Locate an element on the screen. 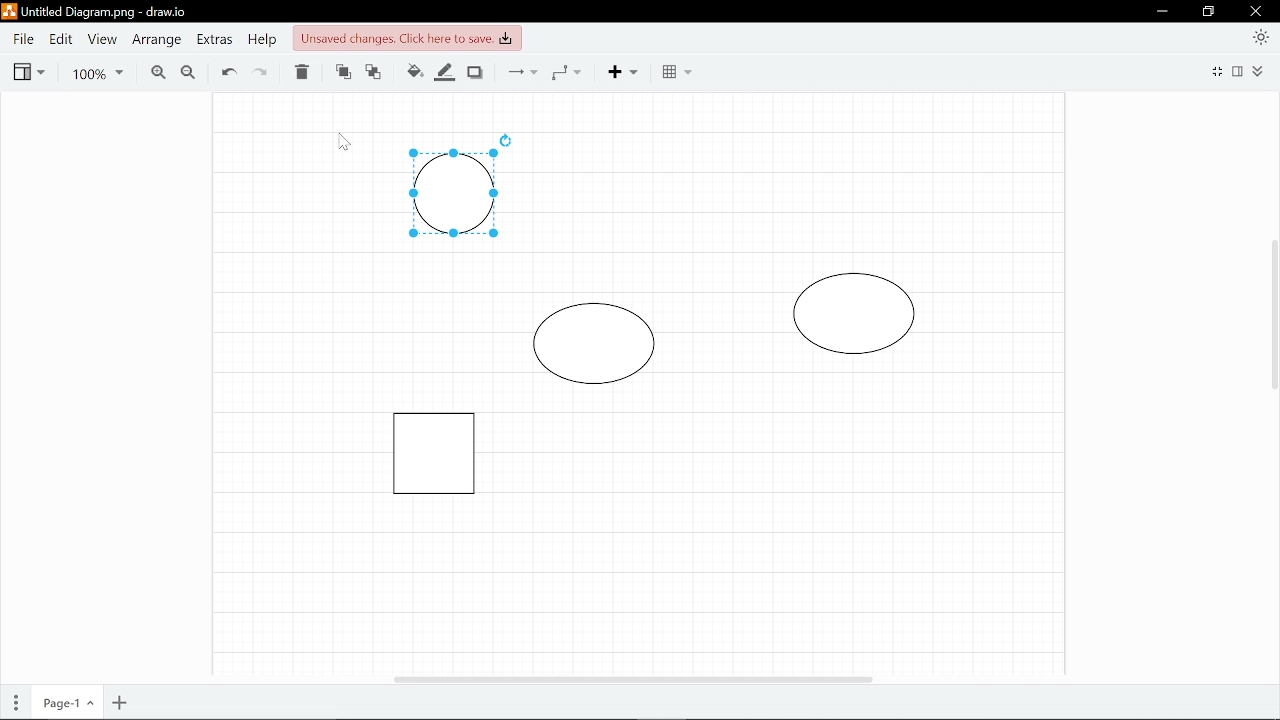 The width and height of the screenshot is (1280, 720). Vertical scrollbar is located at coordinates (1272, 319).